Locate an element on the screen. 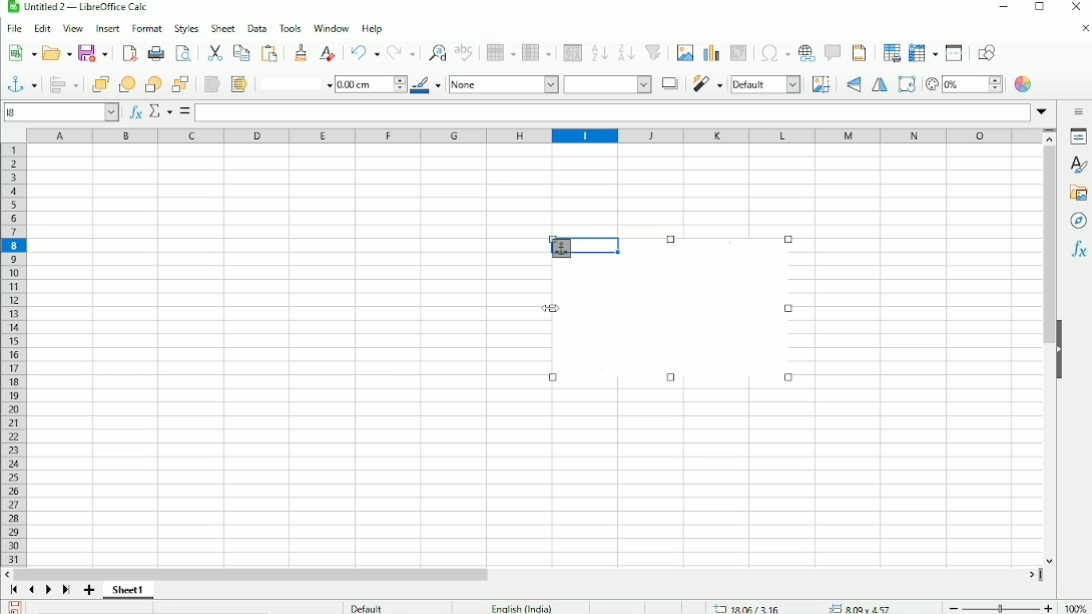 This screenshot has width=1092, height=614. Tools is located at coordinates (289, 27).